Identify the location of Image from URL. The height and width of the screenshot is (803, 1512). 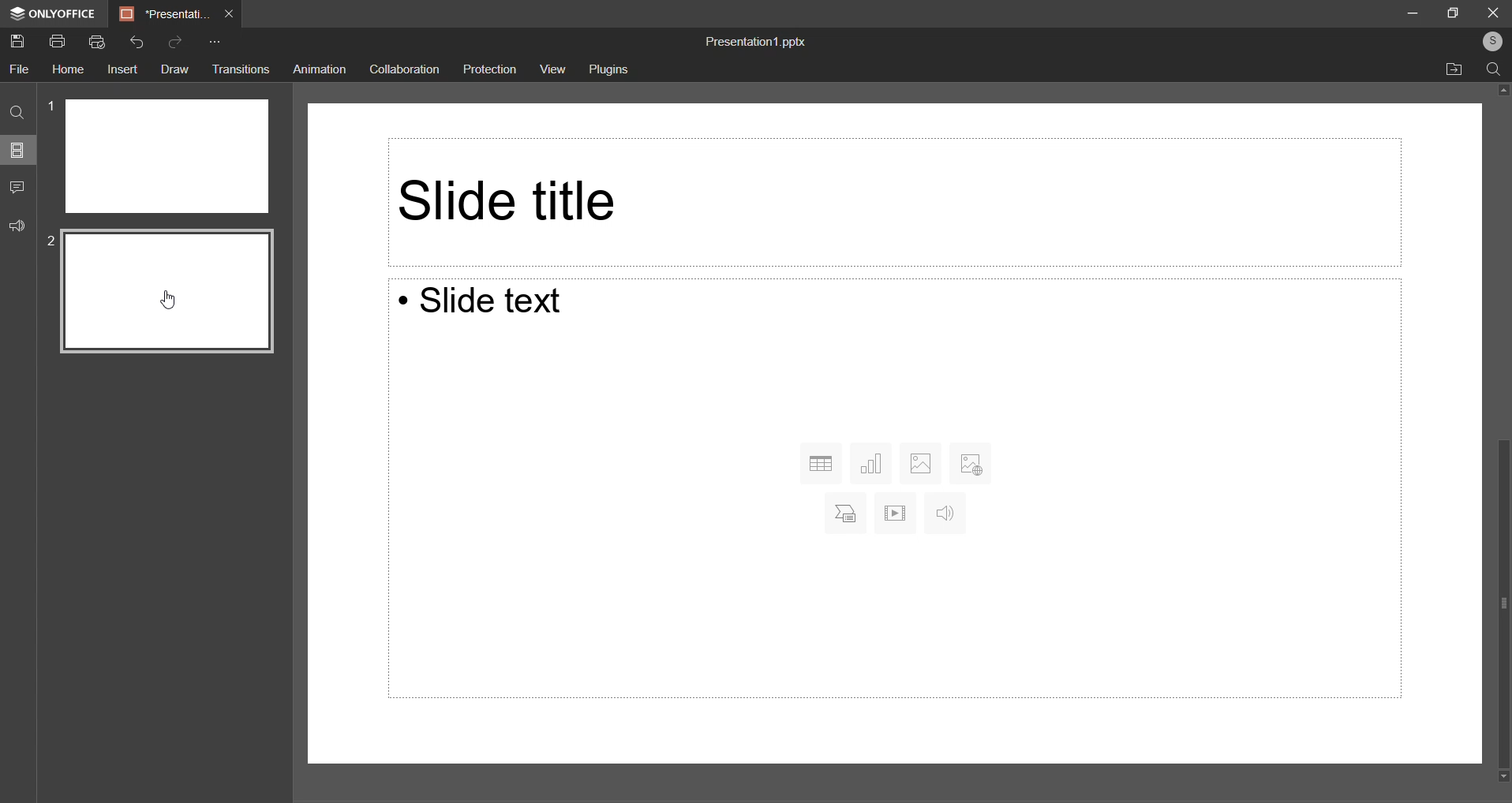
(971, 461).